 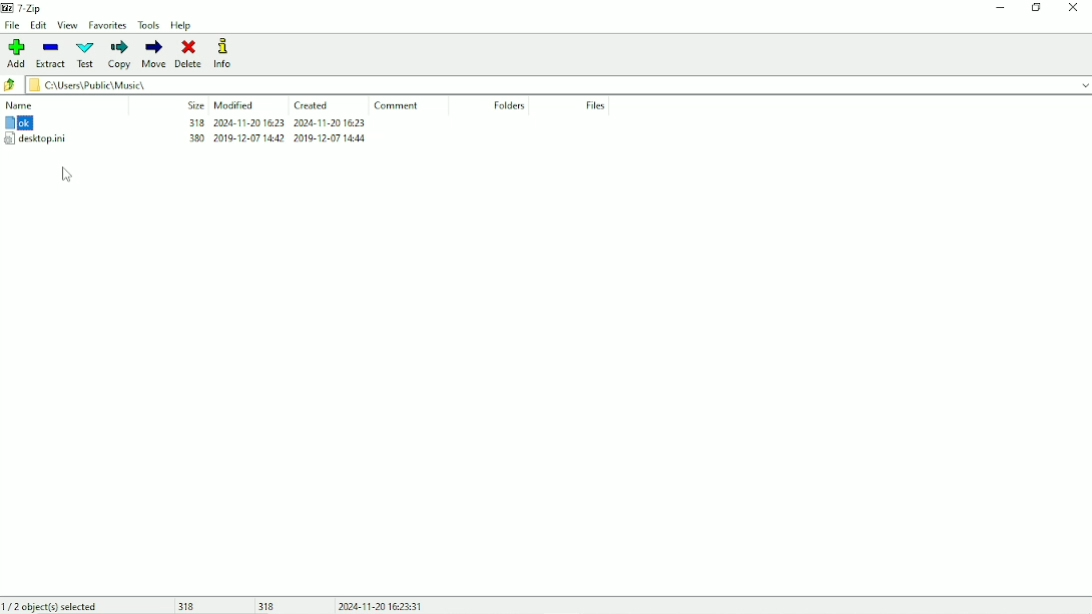 What do you see at coordinates (312, 106) in the screenshot?
I see `Created` at bounding box center [312, 106].